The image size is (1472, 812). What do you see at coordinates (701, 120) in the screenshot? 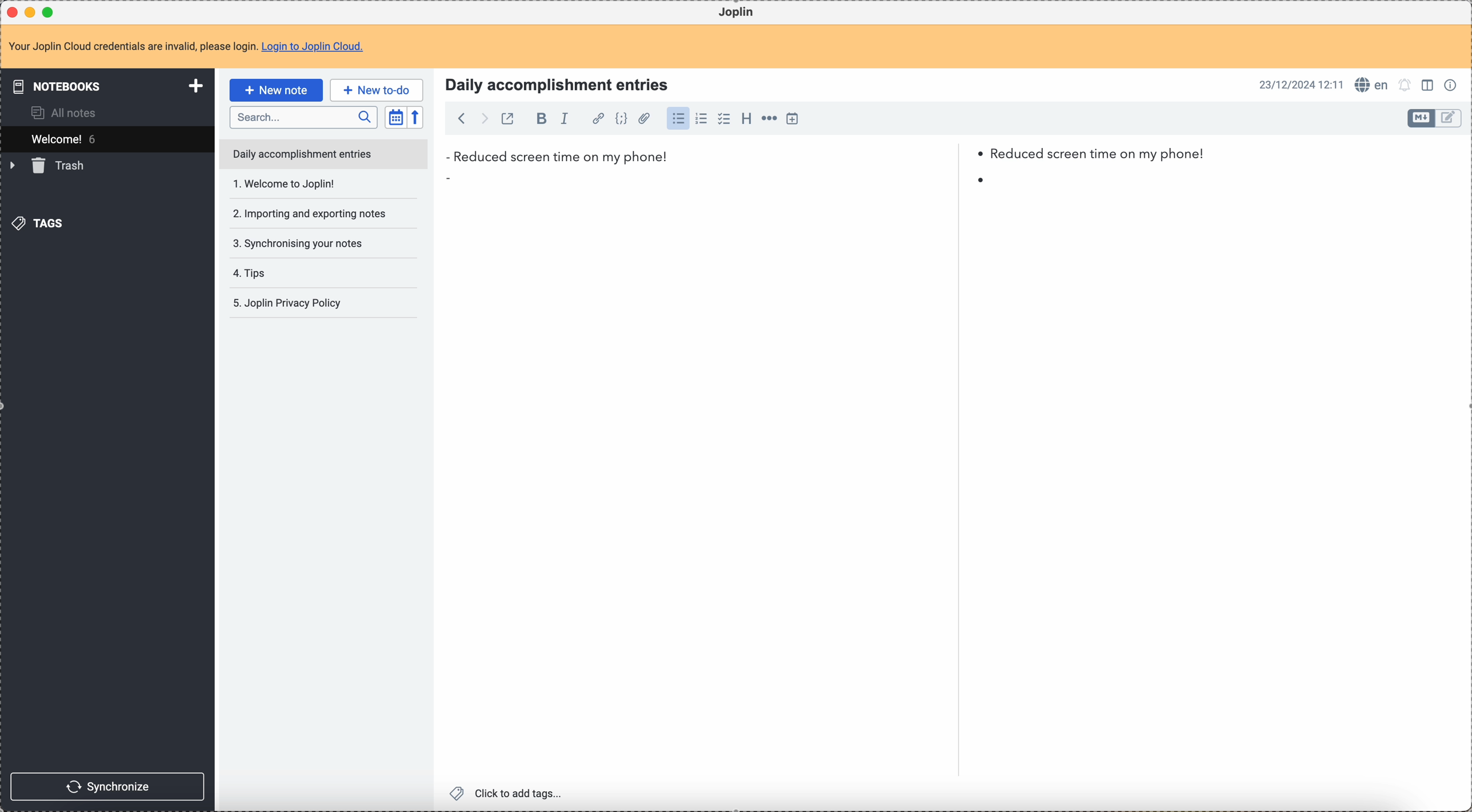
I see `numbered list` at bounding box center [701, 120].